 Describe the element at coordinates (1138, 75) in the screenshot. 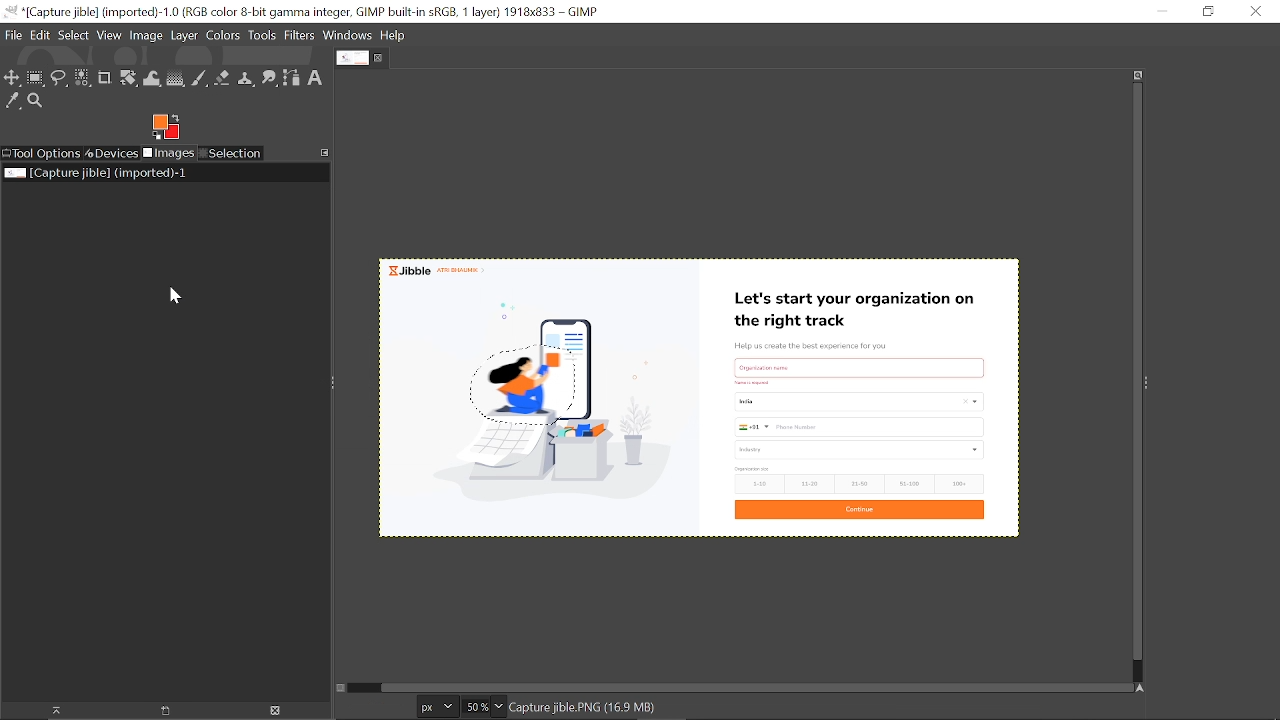

I see `Zoom when widow size changes` at that location.